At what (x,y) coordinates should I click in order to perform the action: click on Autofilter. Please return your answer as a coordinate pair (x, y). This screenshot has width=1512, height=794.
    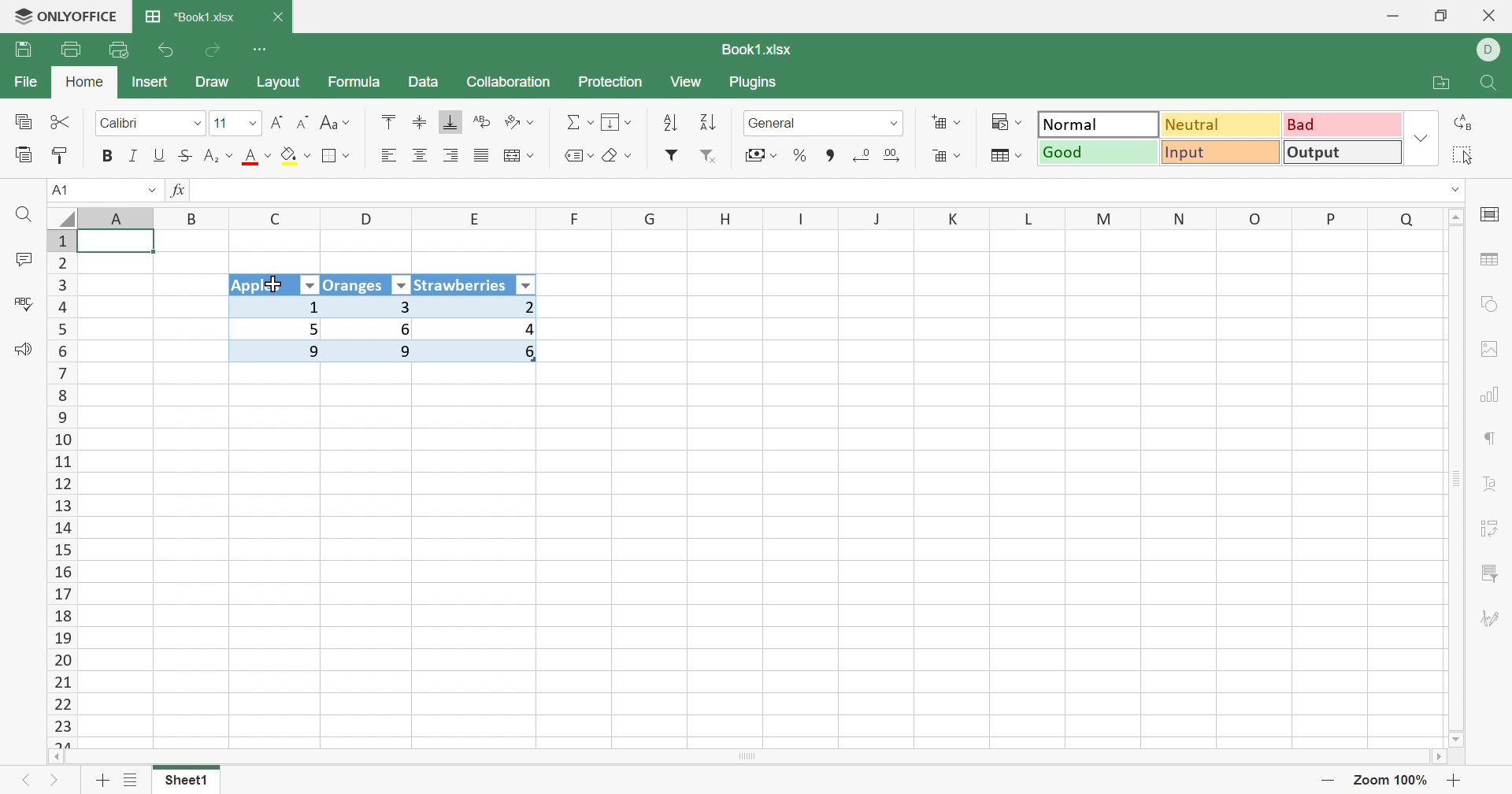
    Looking at the image, I should click on (401, 286).